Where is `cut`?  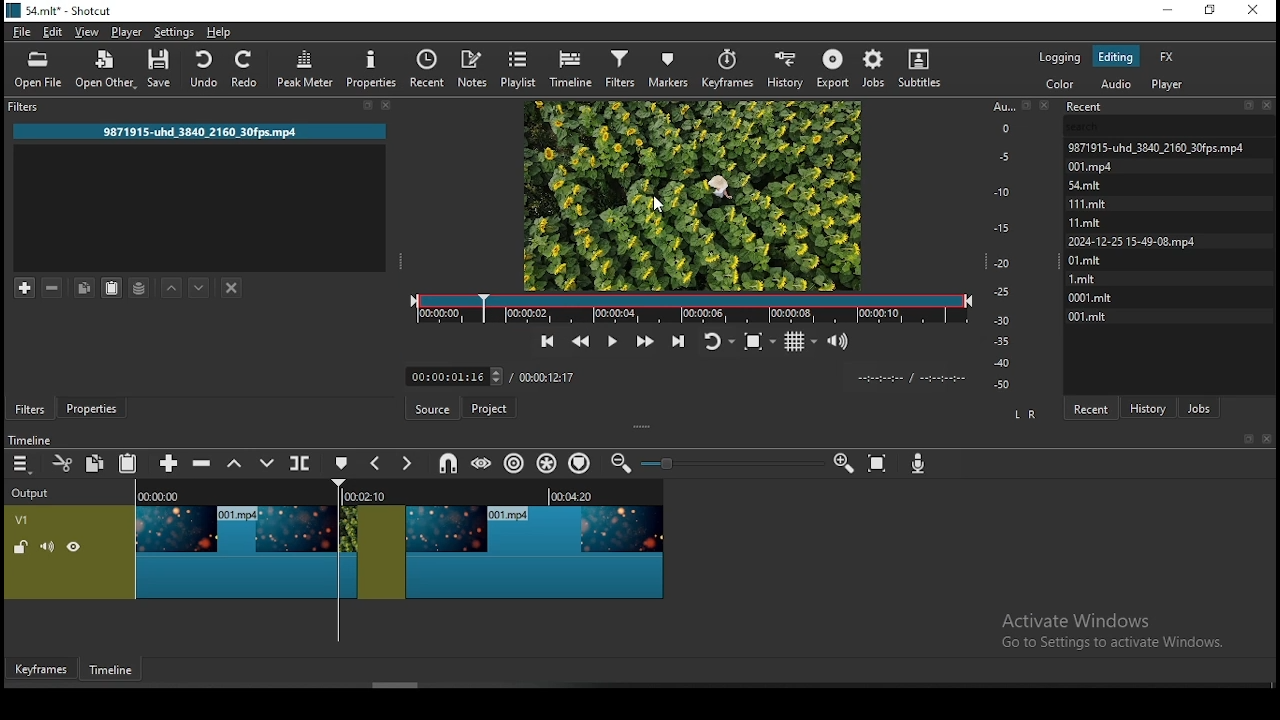 cut is located at coordinates (59, 462).